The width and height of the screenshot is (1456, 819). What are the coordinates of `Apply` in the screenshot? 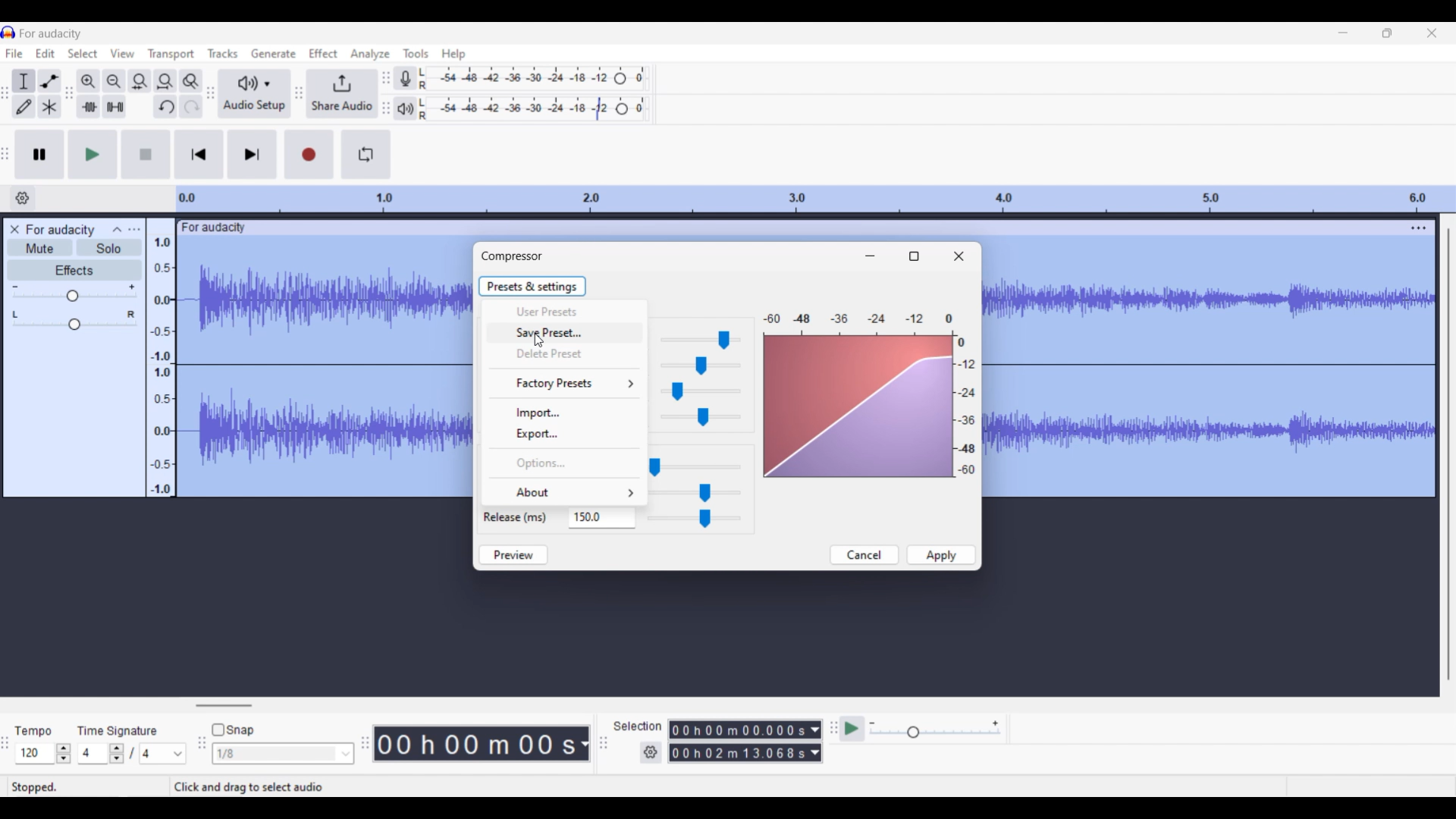 It's located at (941, 554).